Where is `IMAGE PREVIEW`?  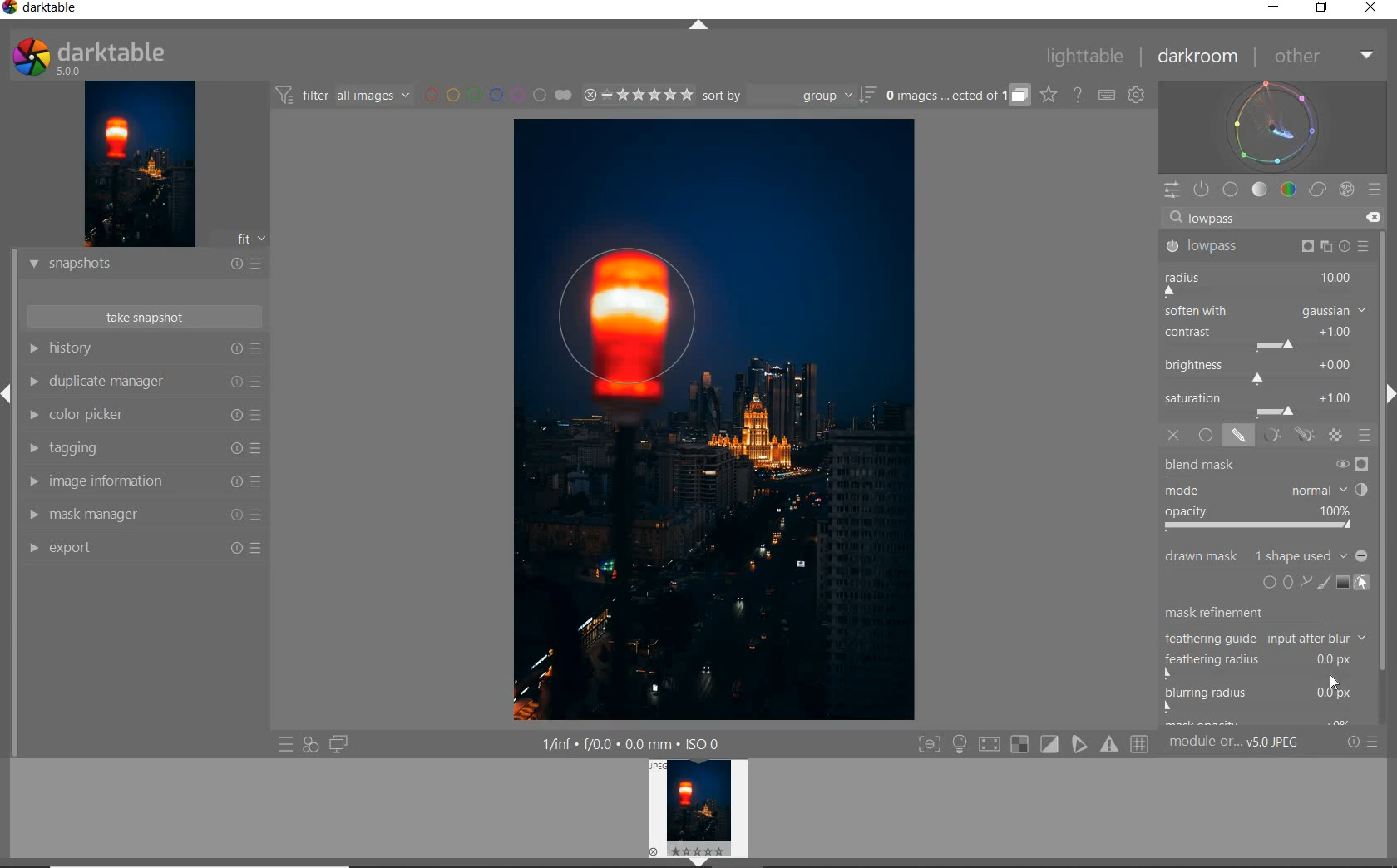
IMAGE PREVIEW is located at coordinates (140, 163).